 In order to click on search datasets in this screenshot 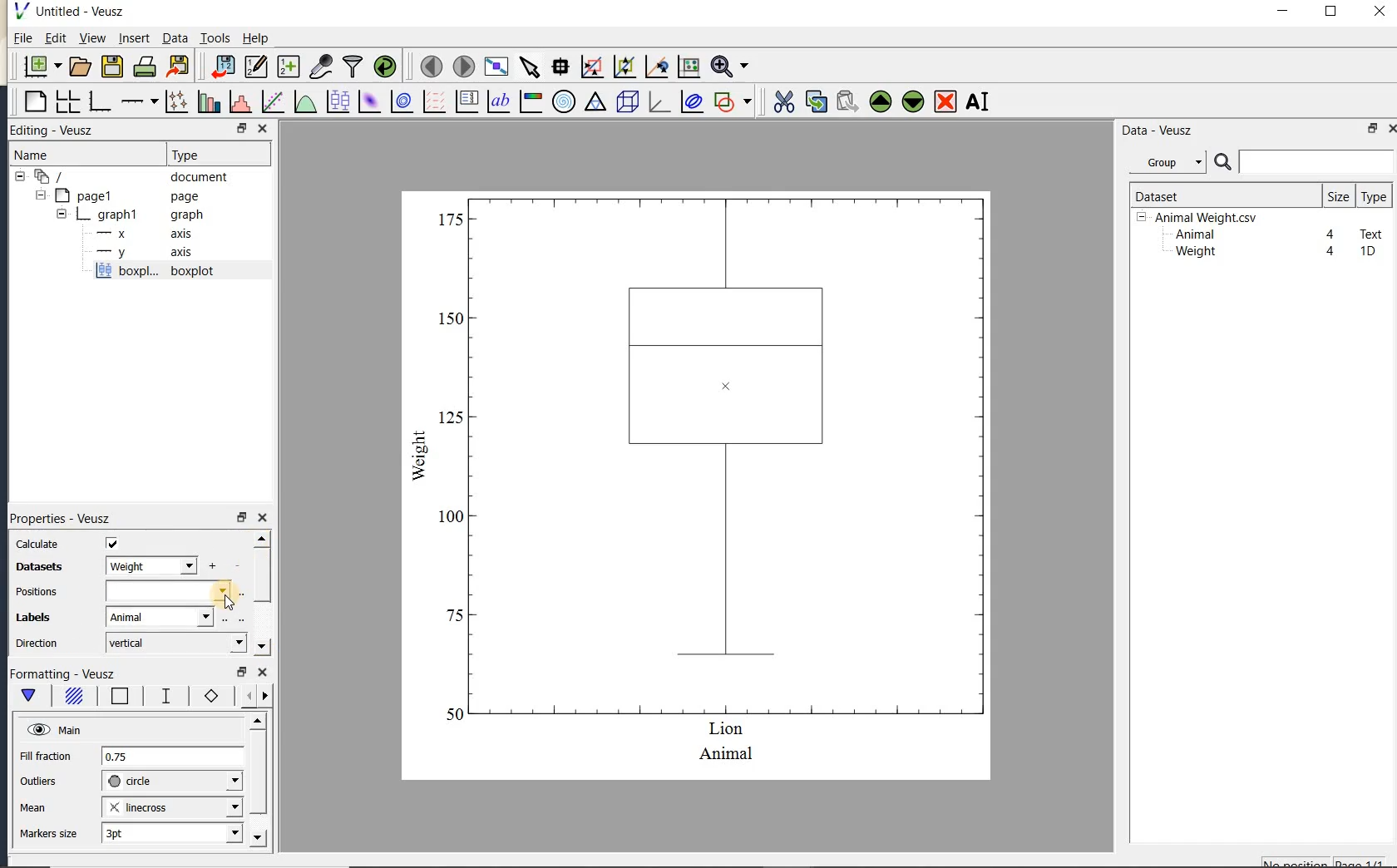, I will do `click(1304, 162)`.